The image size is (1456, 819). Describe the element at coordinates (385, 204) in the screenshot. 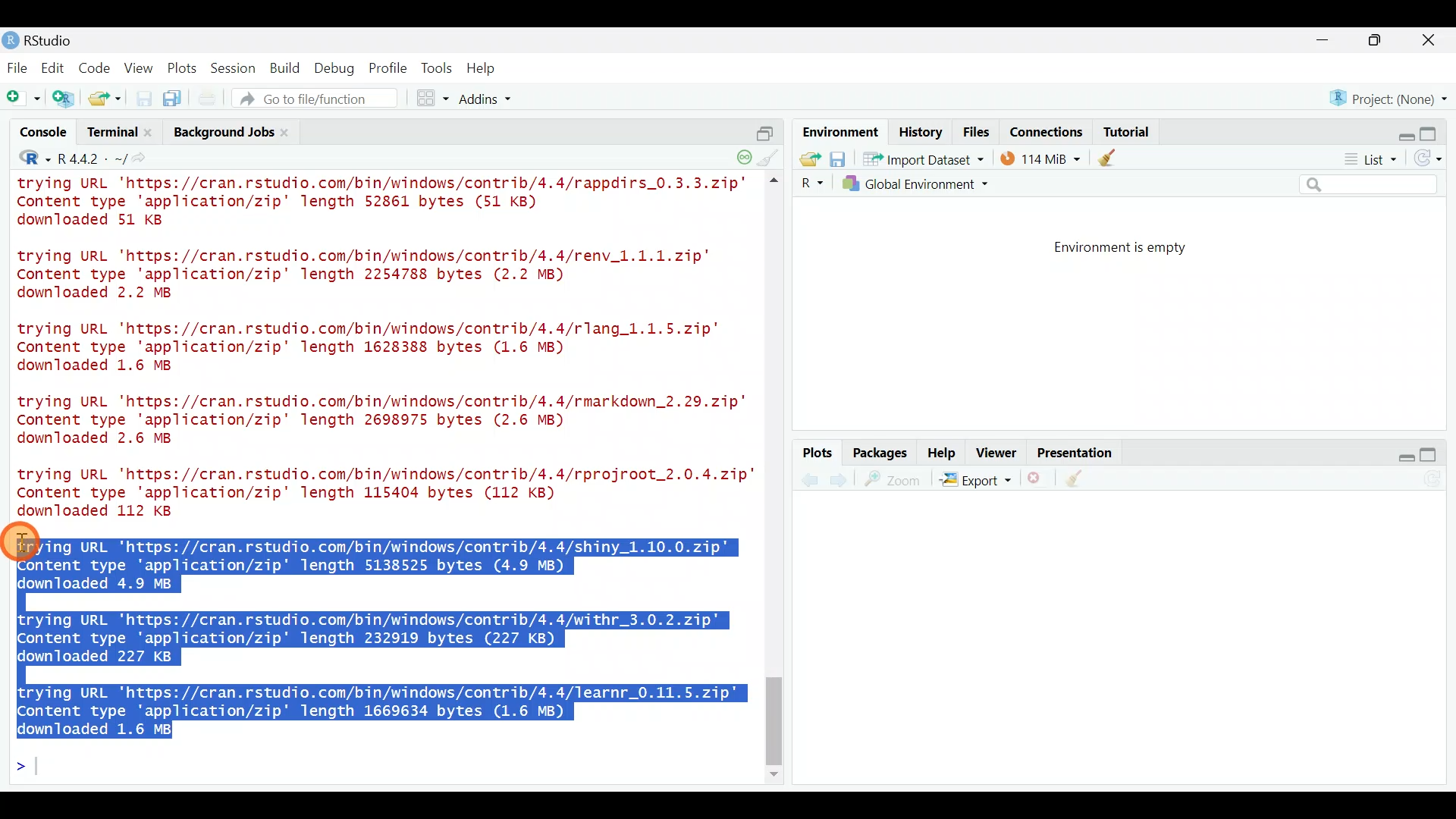

I see `trying URL 'https://cran.rstudio.com/bin/windows/contrib/4.4/rappdirs_0.3.3.zip"’
Content type 'application/zip' length 52861 bytes (51 KB)
downloaded 51 KB` at that location.